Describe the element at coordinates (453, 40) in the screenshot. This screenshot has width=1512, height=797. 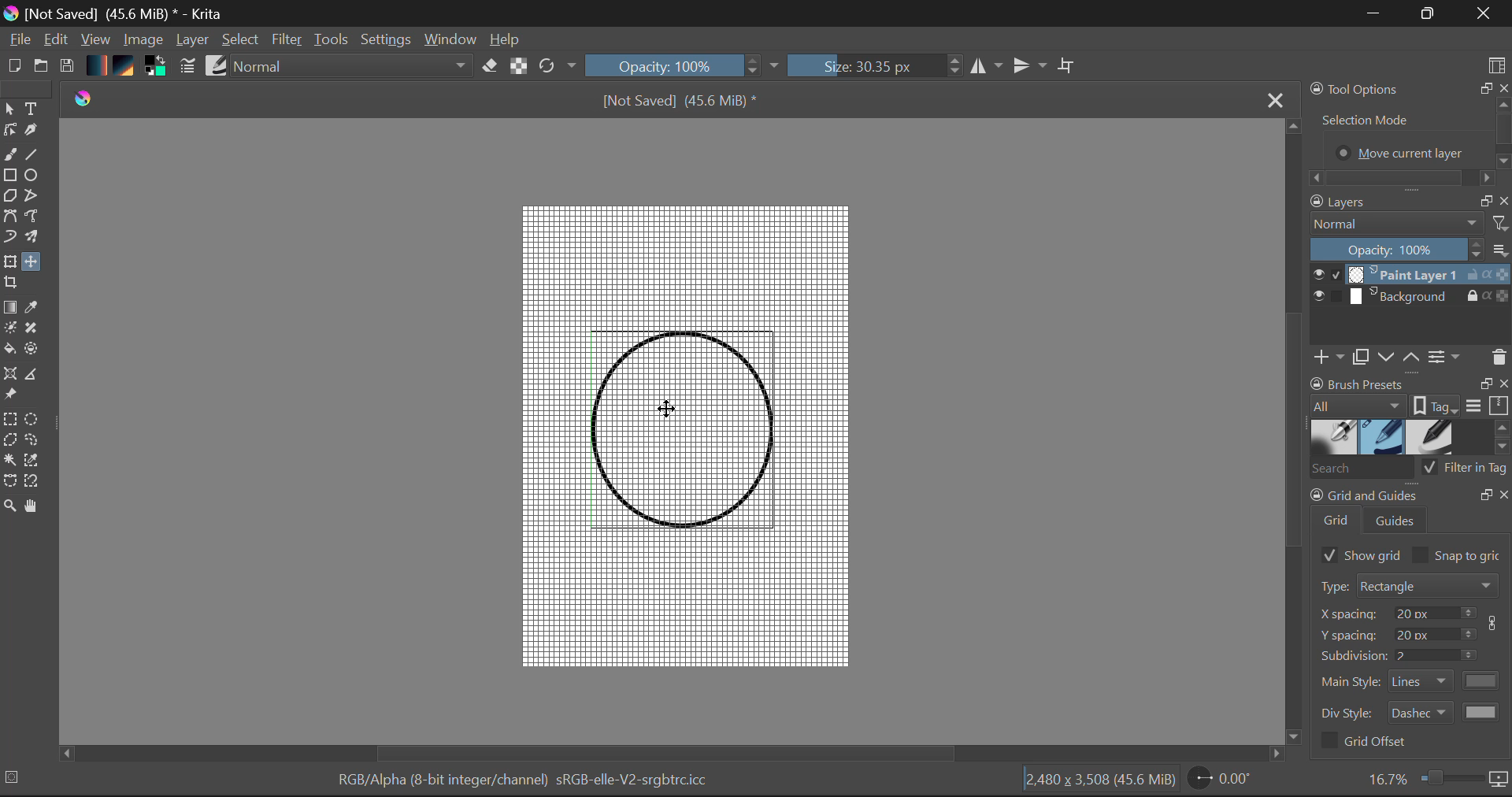
I see `Window` at that location.